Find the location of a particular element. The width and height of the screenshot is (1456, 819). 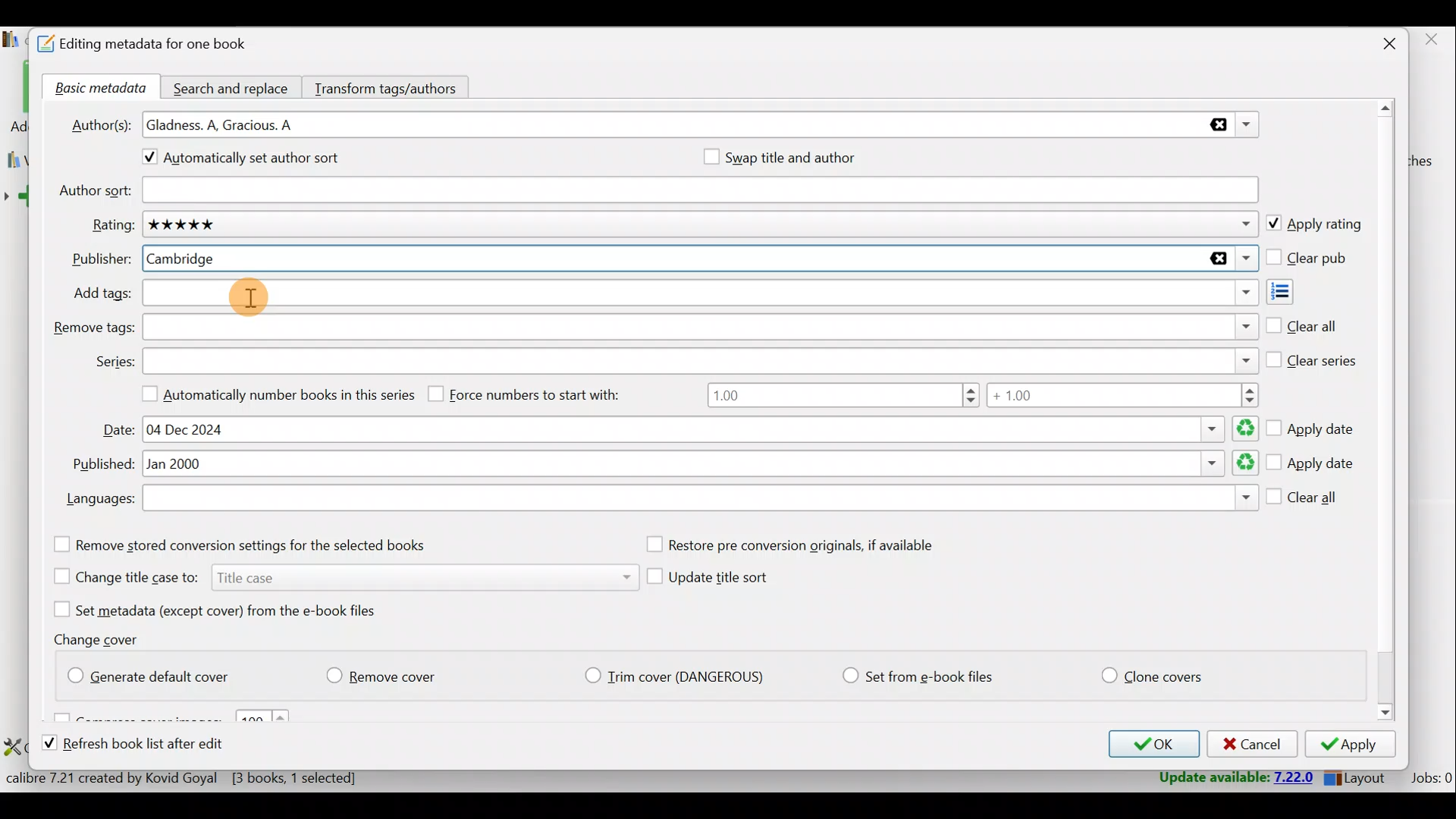

Rating: is located at coordinates (112, 225).